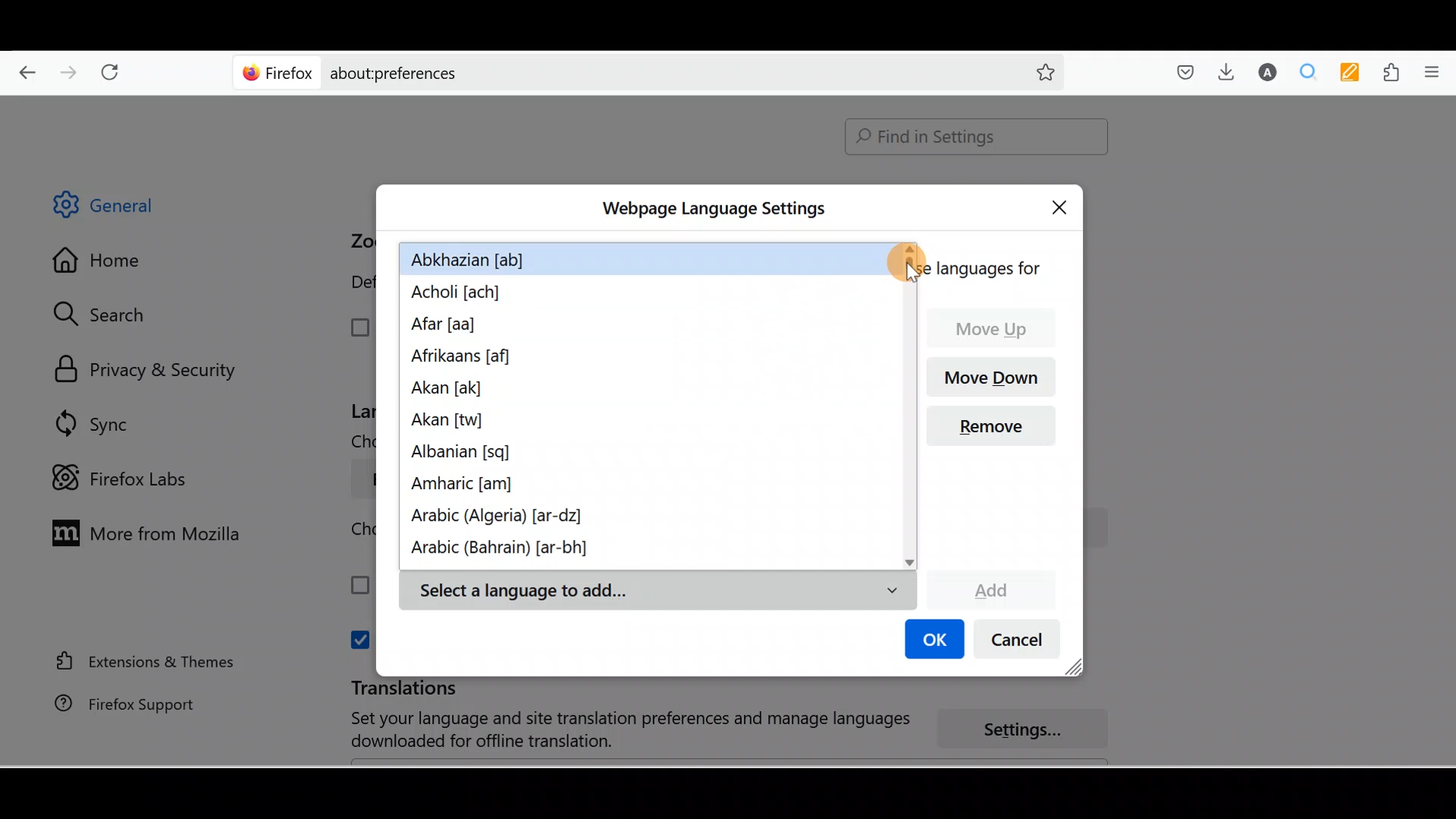 Image resolution: width=1456 pixels, height=819 pixels. I want to click on Privacy & security, so click(152, 371).